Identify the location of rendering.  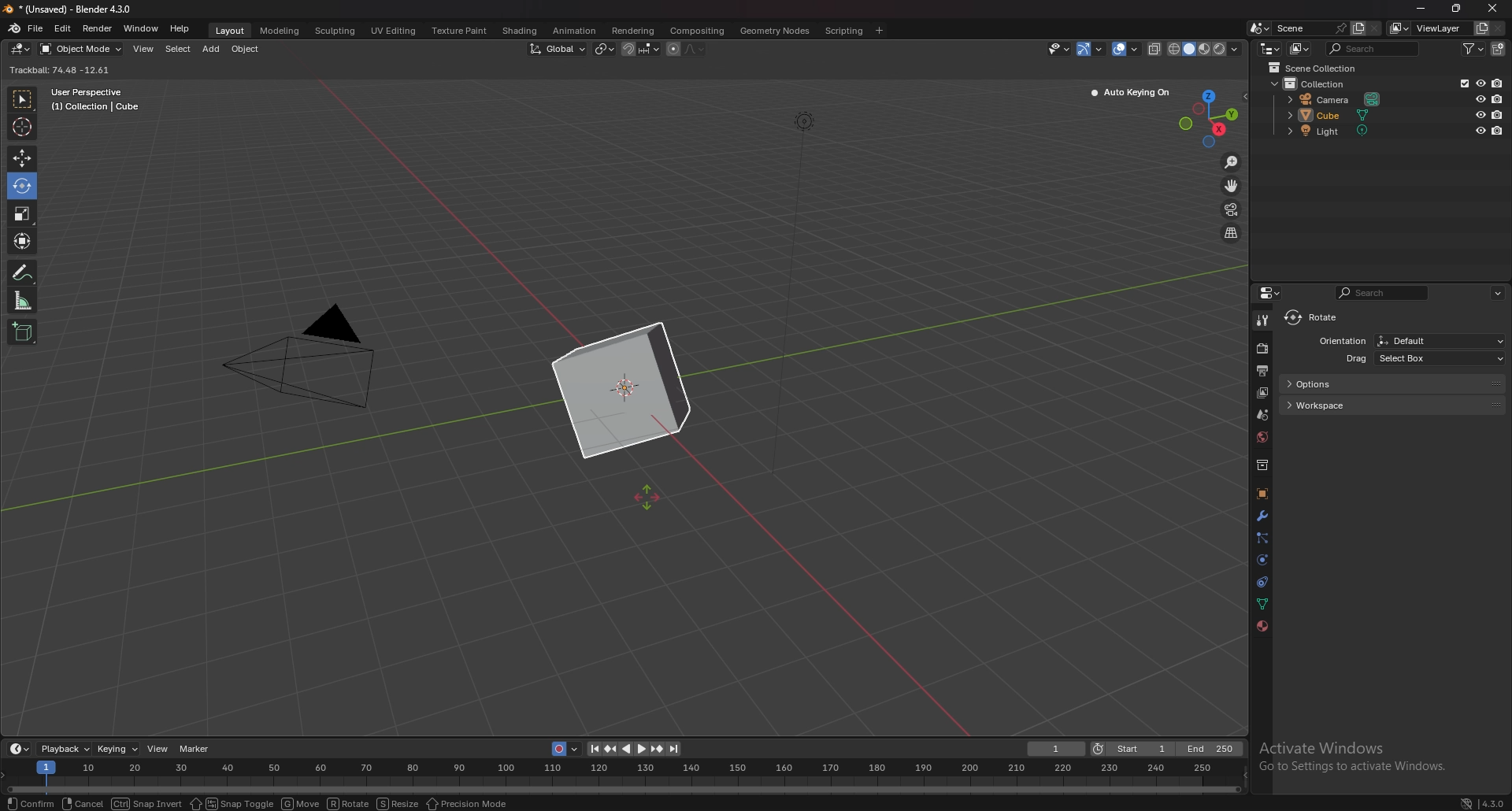
(632, 30).